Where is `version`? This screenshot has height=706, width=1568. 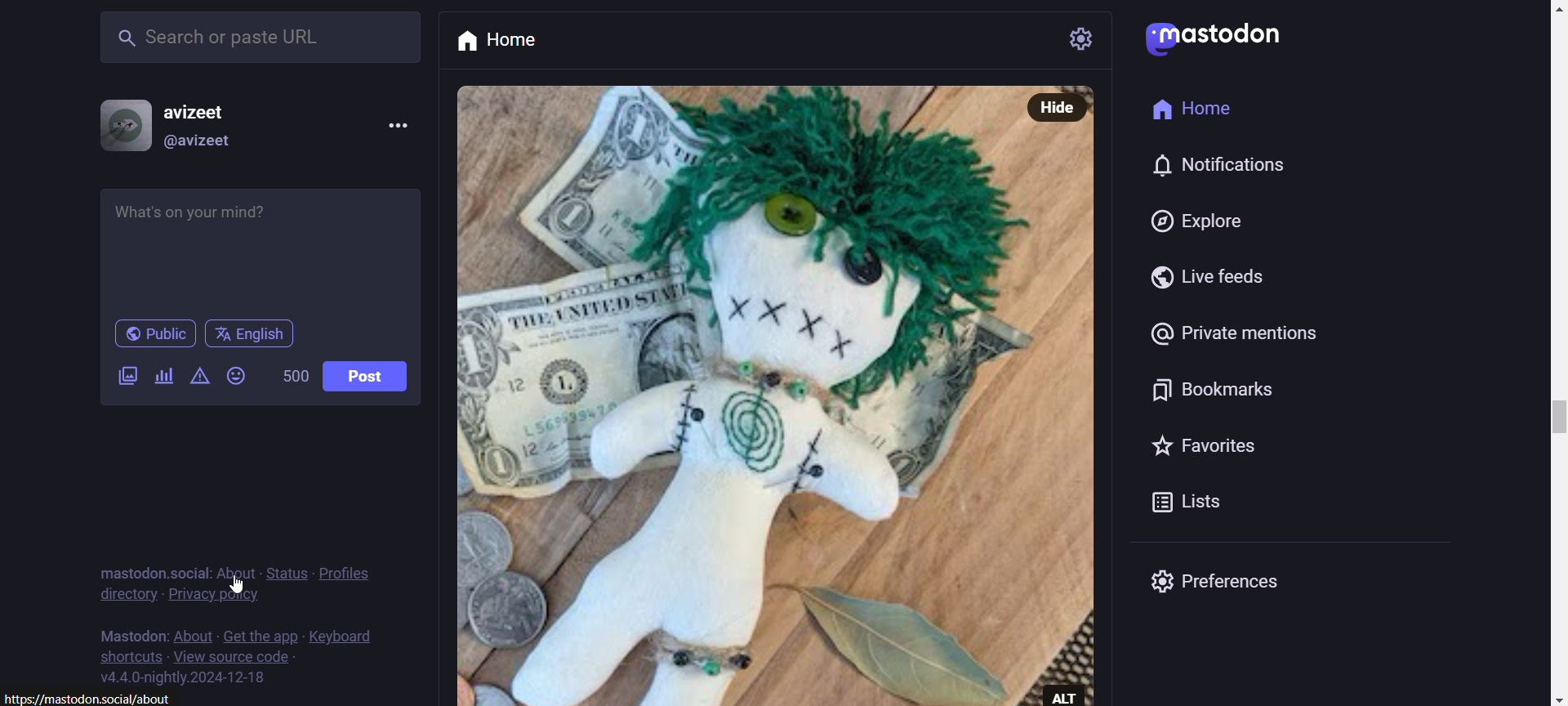 version is located at coordinates (184, 679).